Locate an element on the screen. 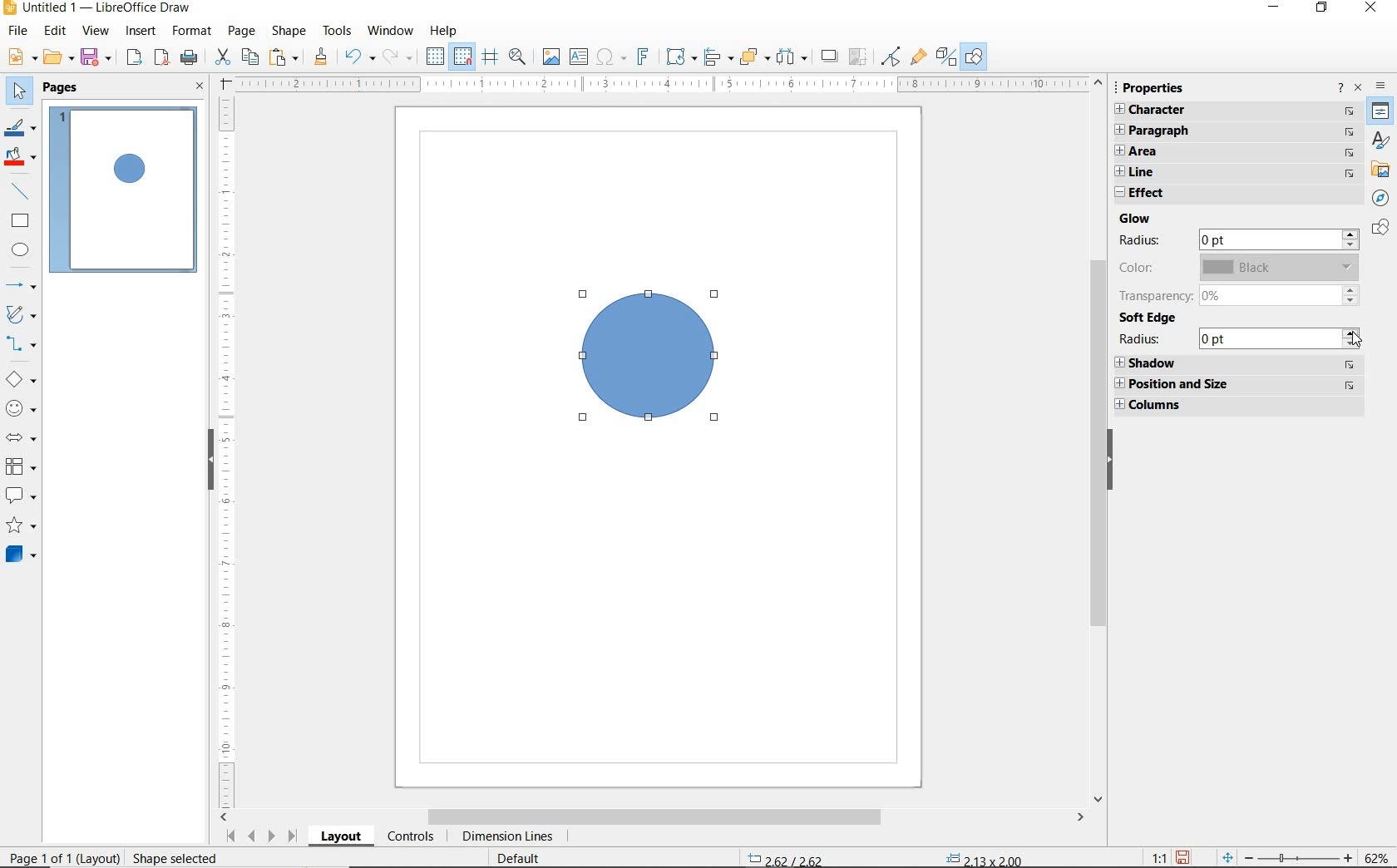  MINIMIZE is located at coordinates (1272, 8).